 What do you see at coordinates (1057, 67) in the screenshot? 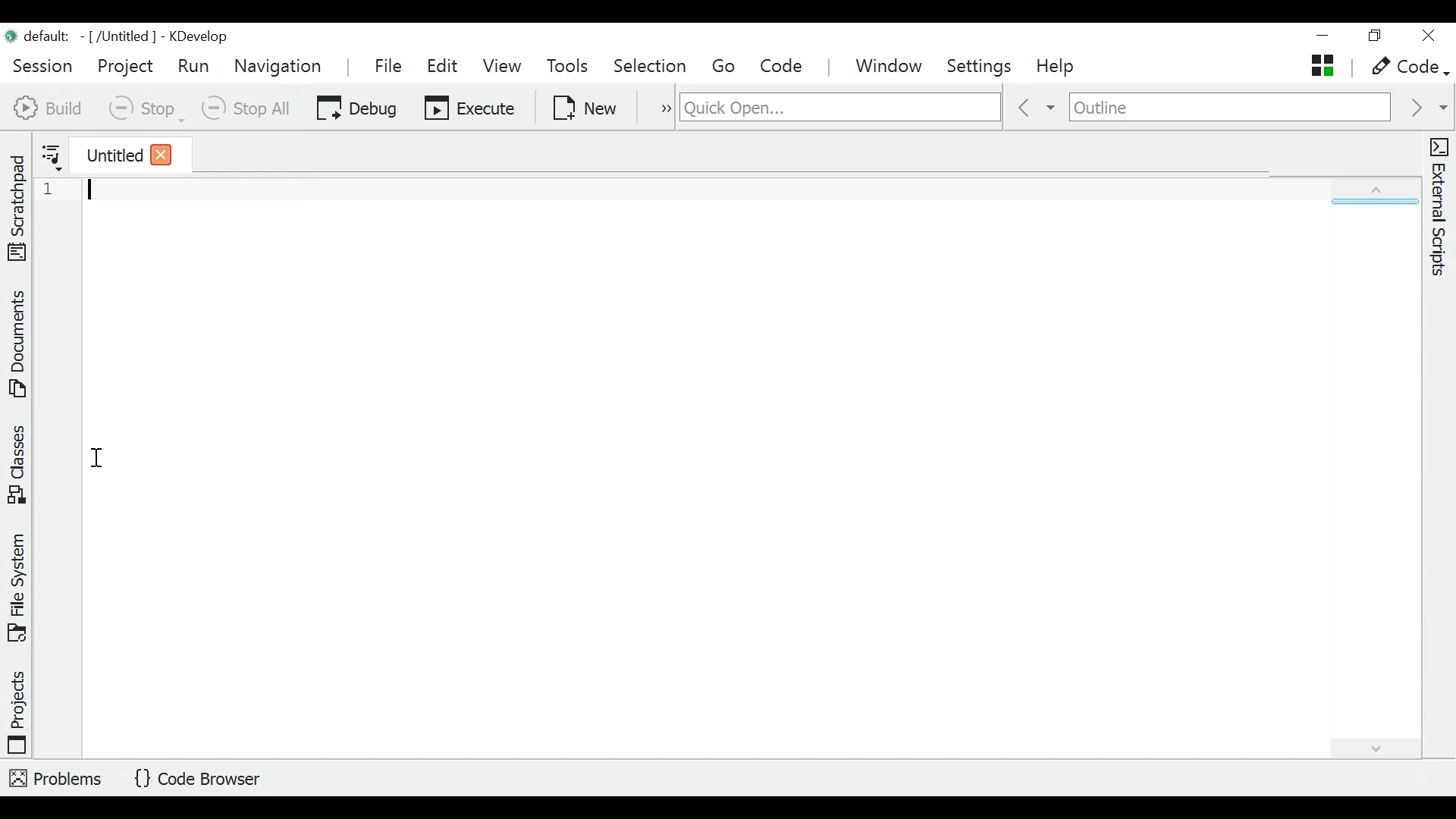
I see `Help` at bounding box center [1057, 67].